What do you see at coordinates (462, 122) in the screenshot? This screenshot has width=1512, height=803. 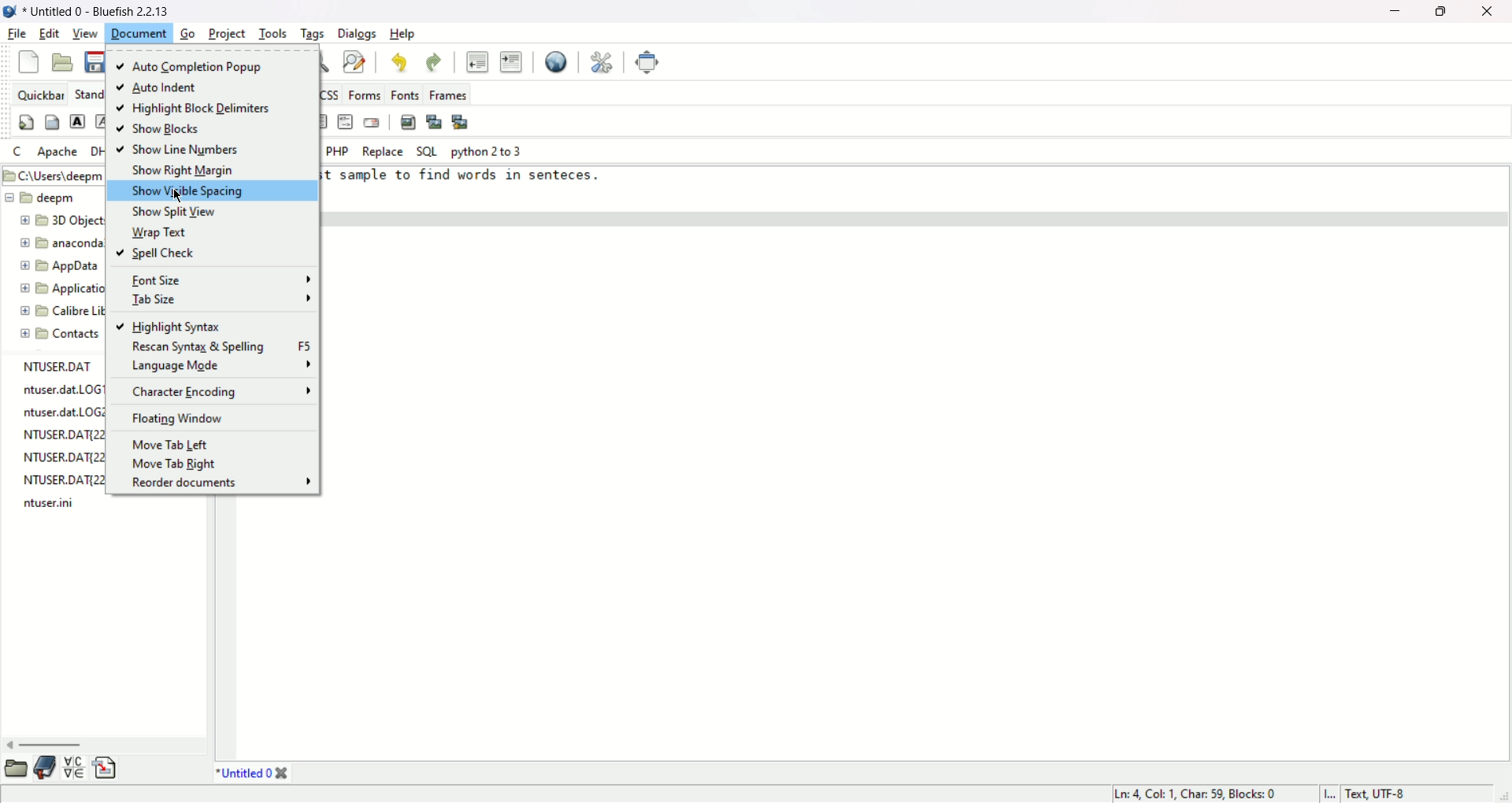 I see `multi thumbnail` at bounding box center [462, 122].